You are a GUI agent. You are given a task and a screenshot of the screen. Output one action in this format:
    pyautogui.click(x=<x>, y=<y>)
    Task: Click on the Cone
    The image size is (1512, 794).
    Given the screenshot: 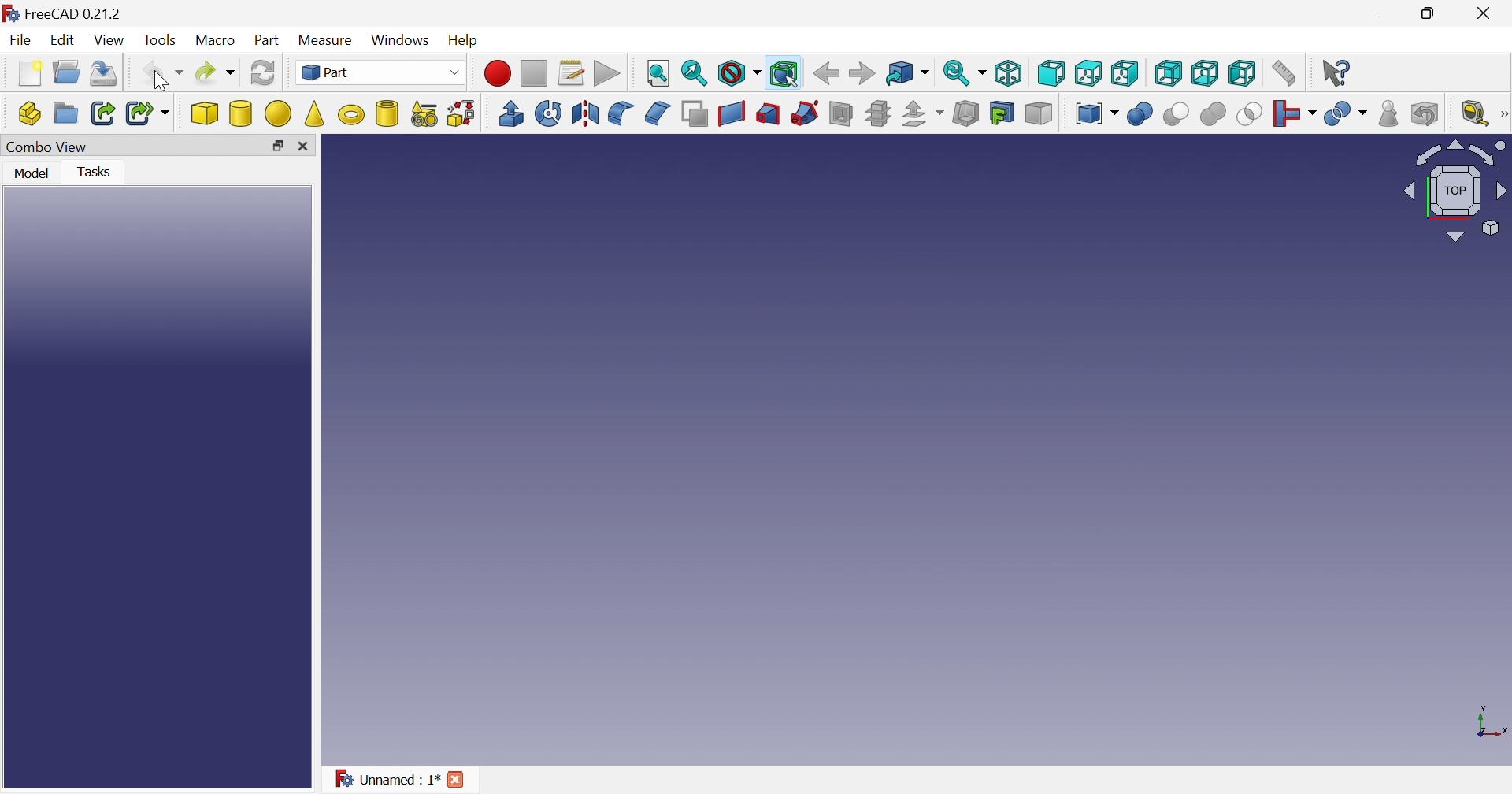 What is the action you would take?
    pyautogui.click(x=315, y=115)
    